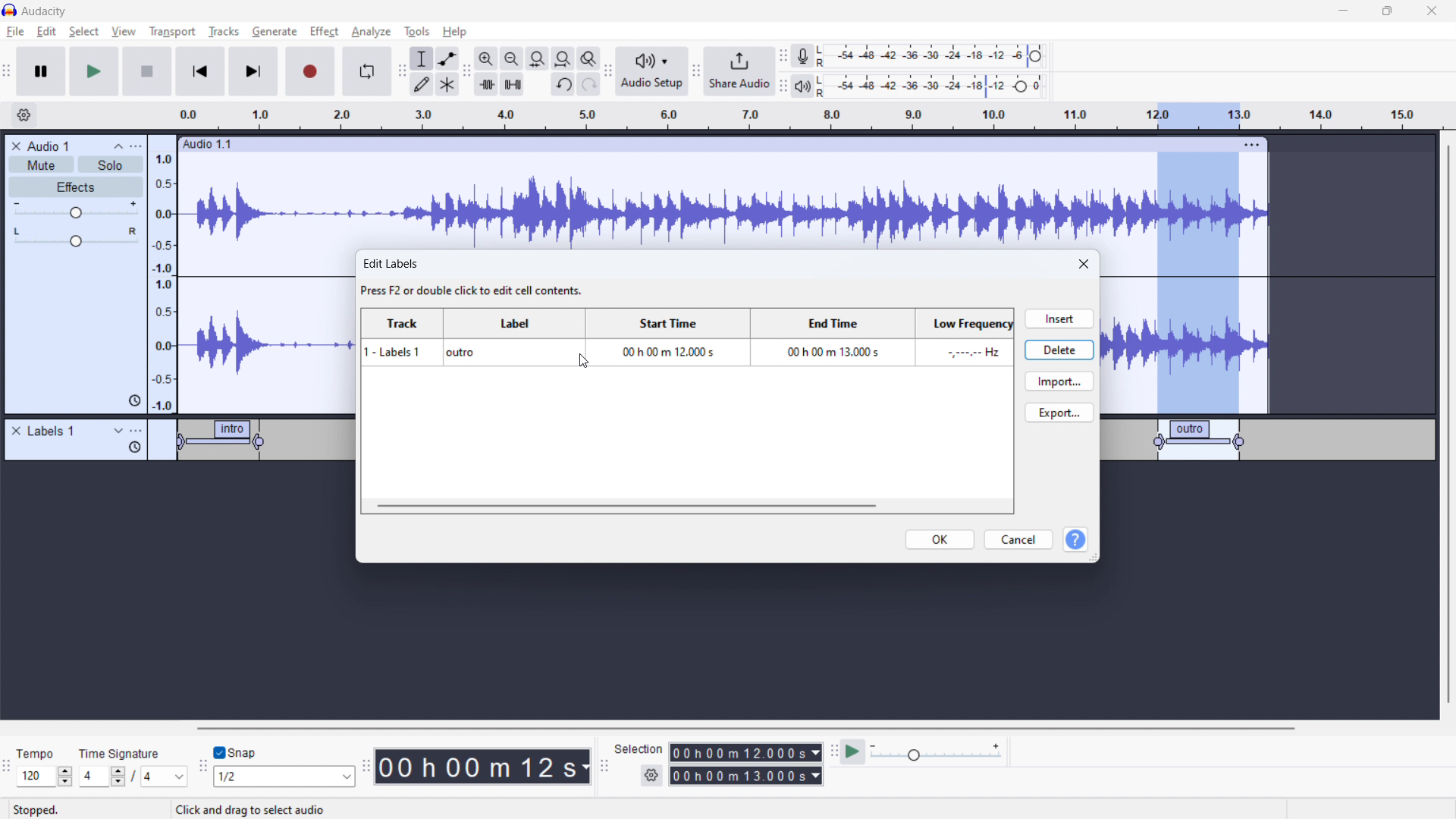 The height and width of the screenshot is (819, 1456). What do you see at coordinates (602, 767) in the screenshot?
I see `selection toolbar` at bounding box center [602, 767].